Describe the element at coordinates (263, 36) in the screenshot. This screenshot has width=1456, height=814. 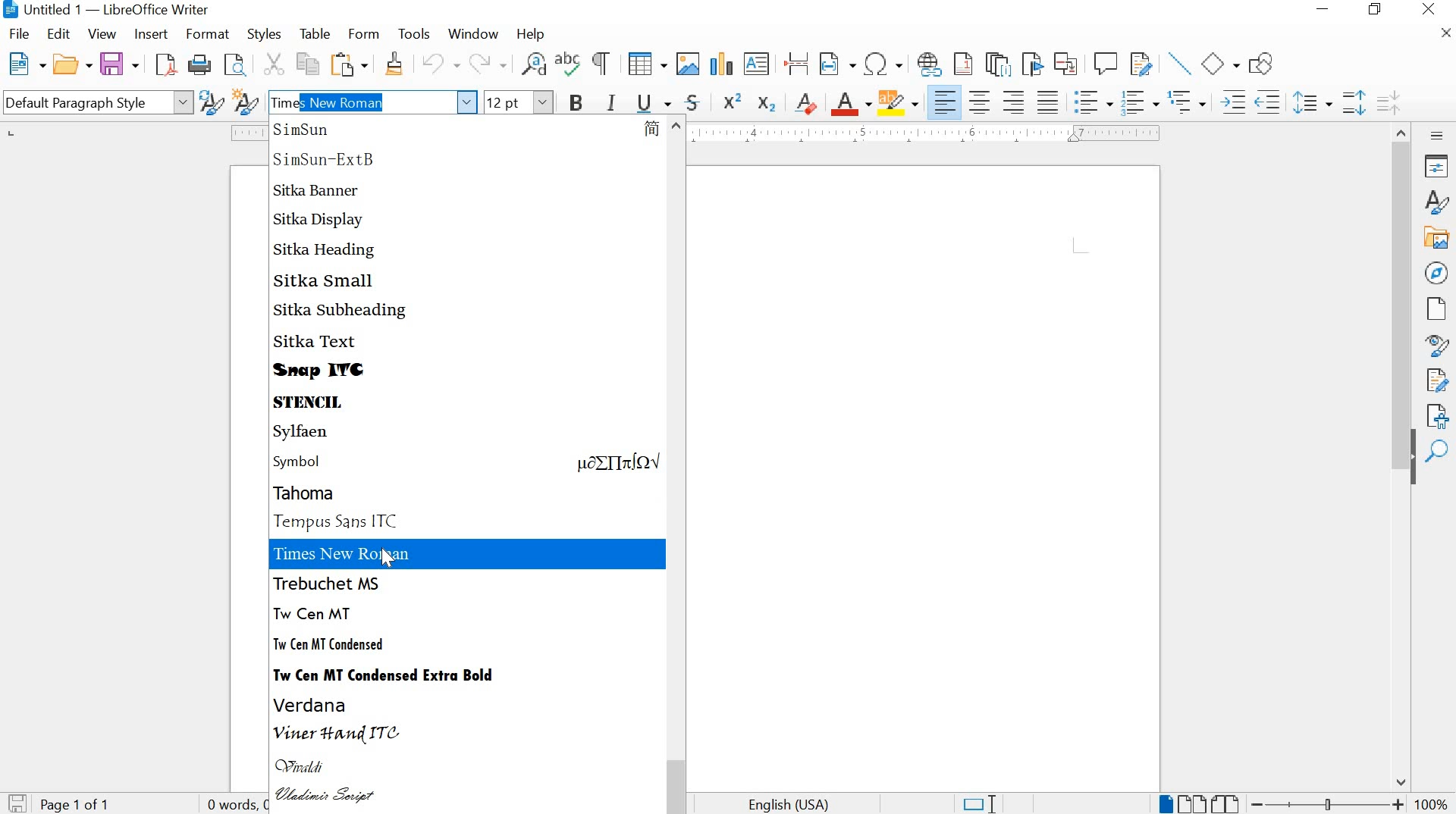
I see `STYLES` at that location.